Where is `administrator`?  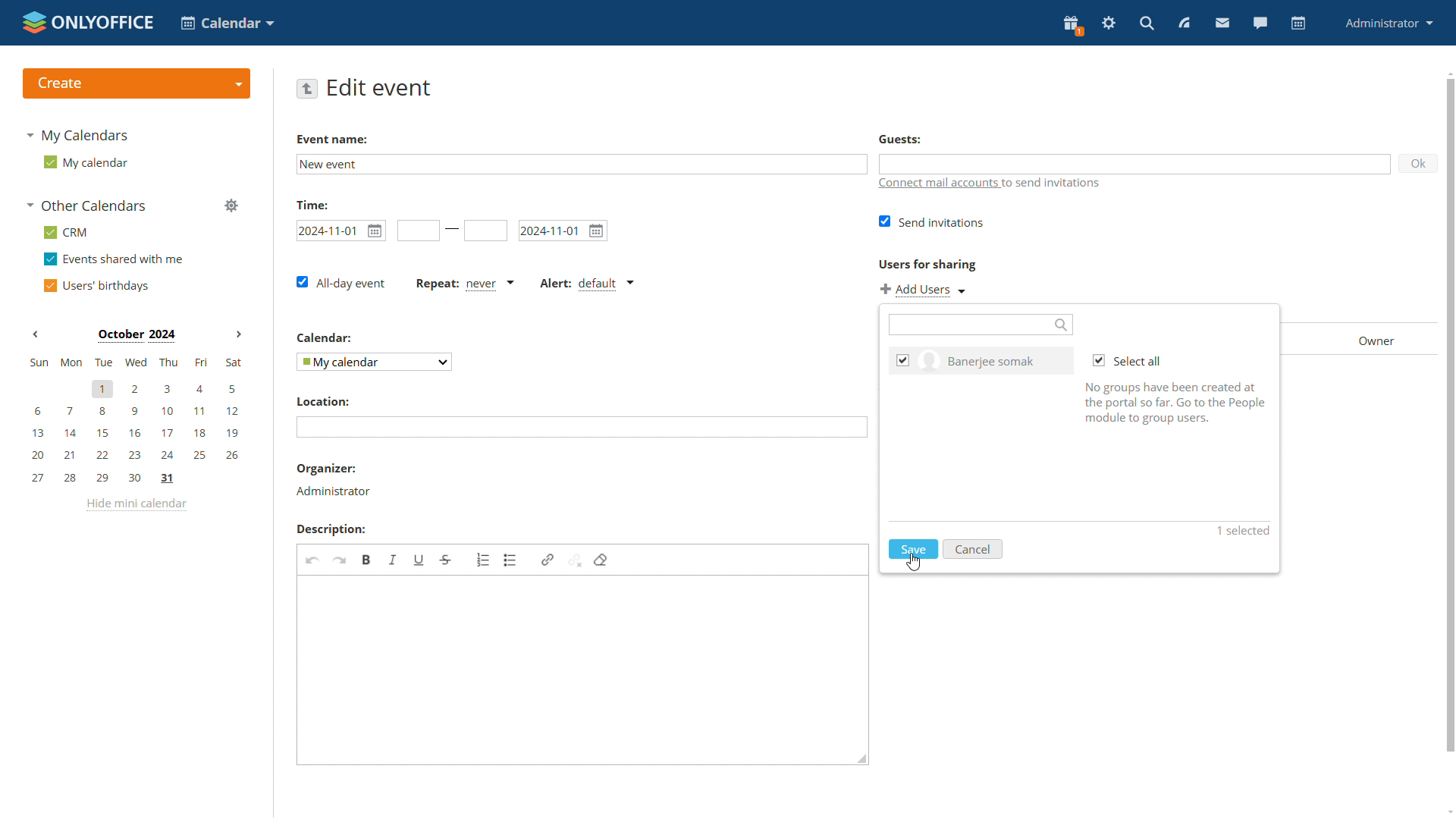 administrator is located at coordinates (1389, 23).